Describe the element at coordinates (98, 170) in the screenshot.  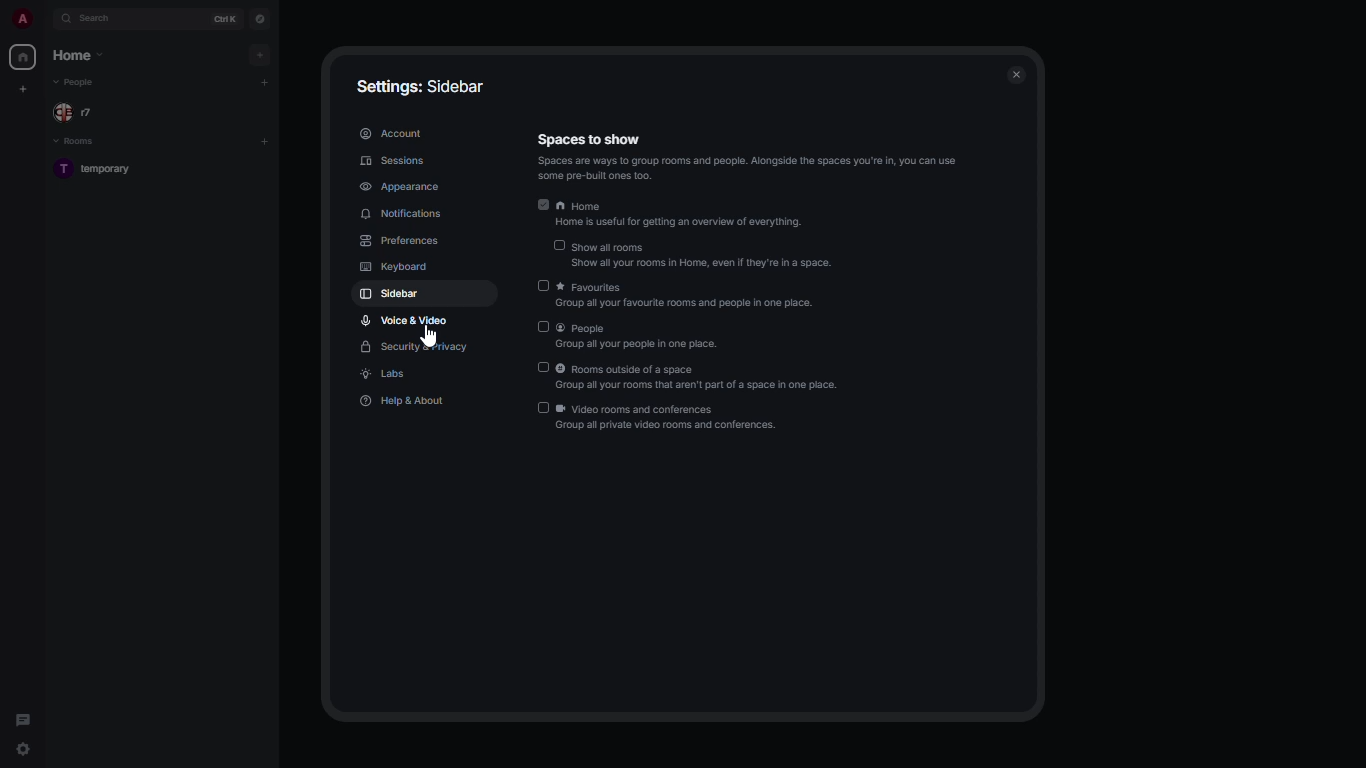
I see `room` at that location.